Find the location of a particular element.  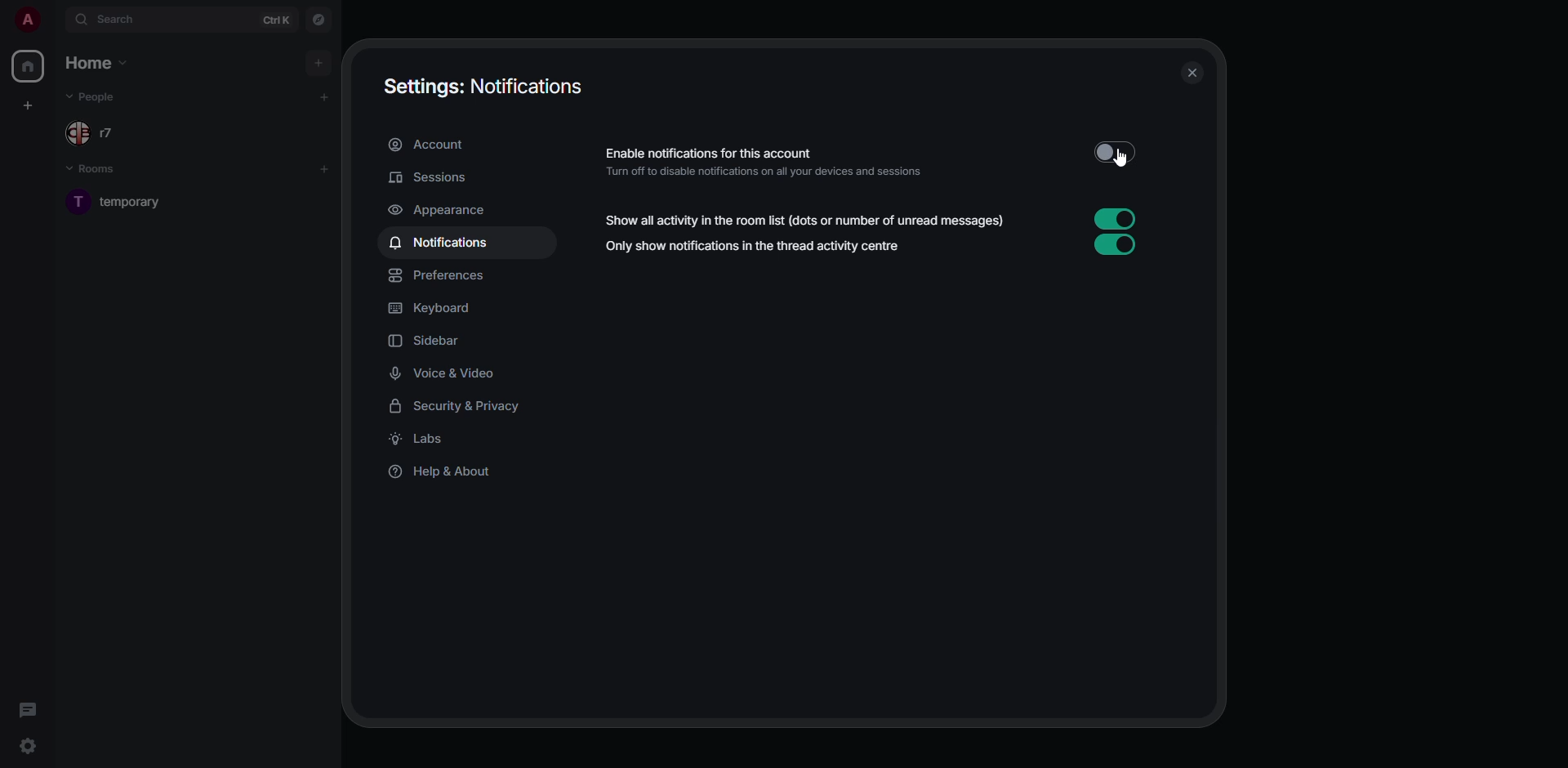

preferences is located at coordinates (439, 276).